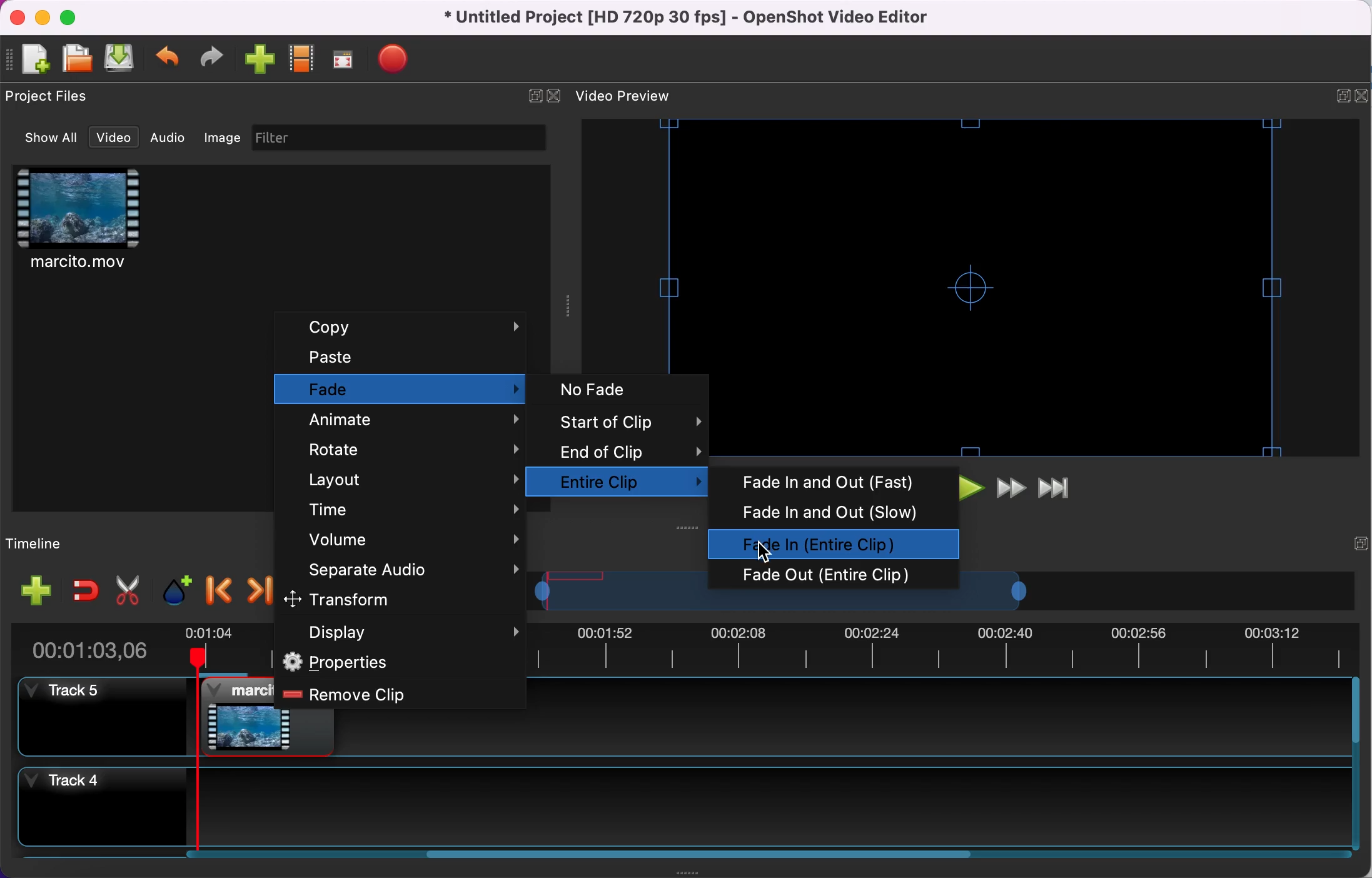 The width and height of the screenshot is (1372, 878). Describe the element at coordinates (229, 651) in the screenshot. I see `timebar` at that location.